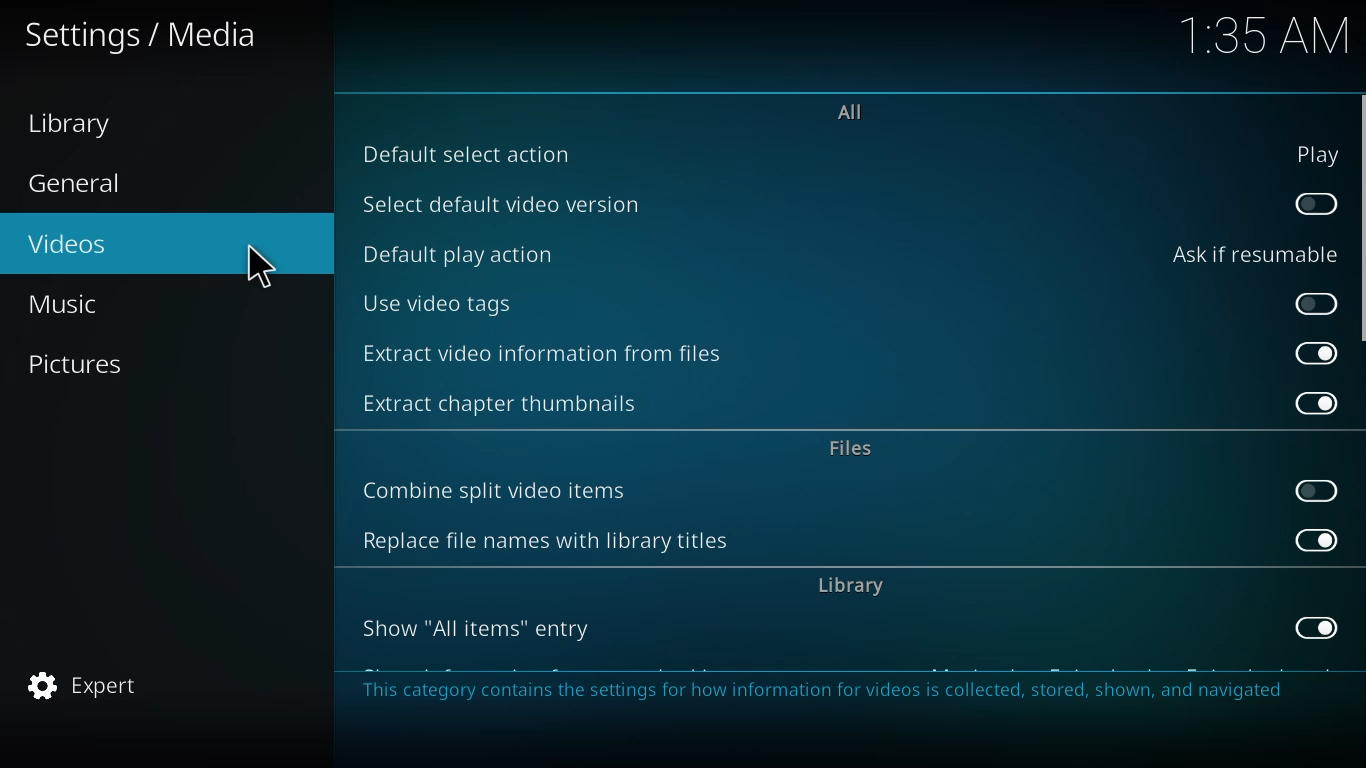 The image size is (1366, 768). Describe the element at coordinates (1362, 217) in the screenshot. I see `scroll bar` at that location.